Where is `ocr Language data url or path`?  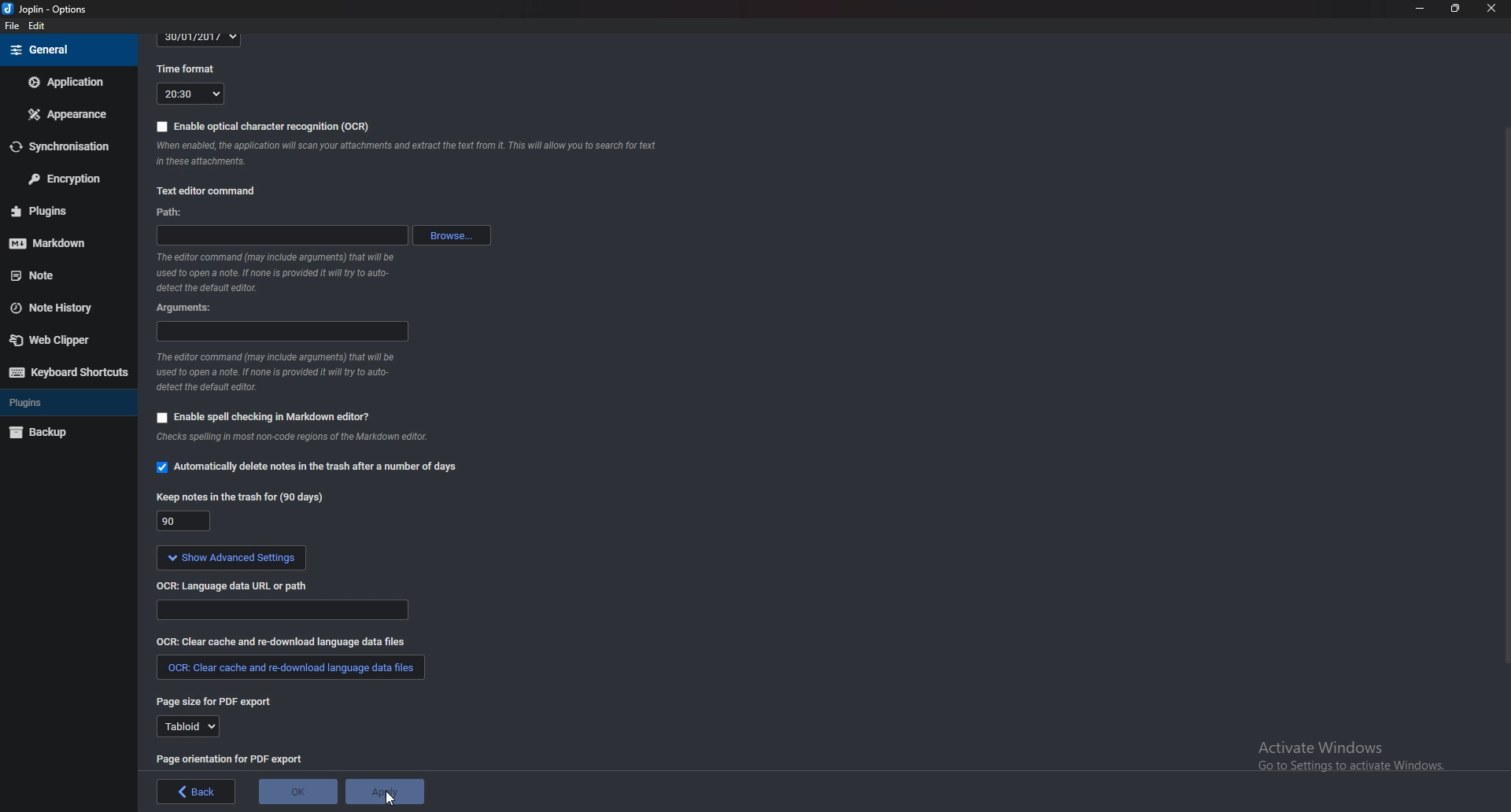
ocr Language data url or path is located at coordinates (235, 585).